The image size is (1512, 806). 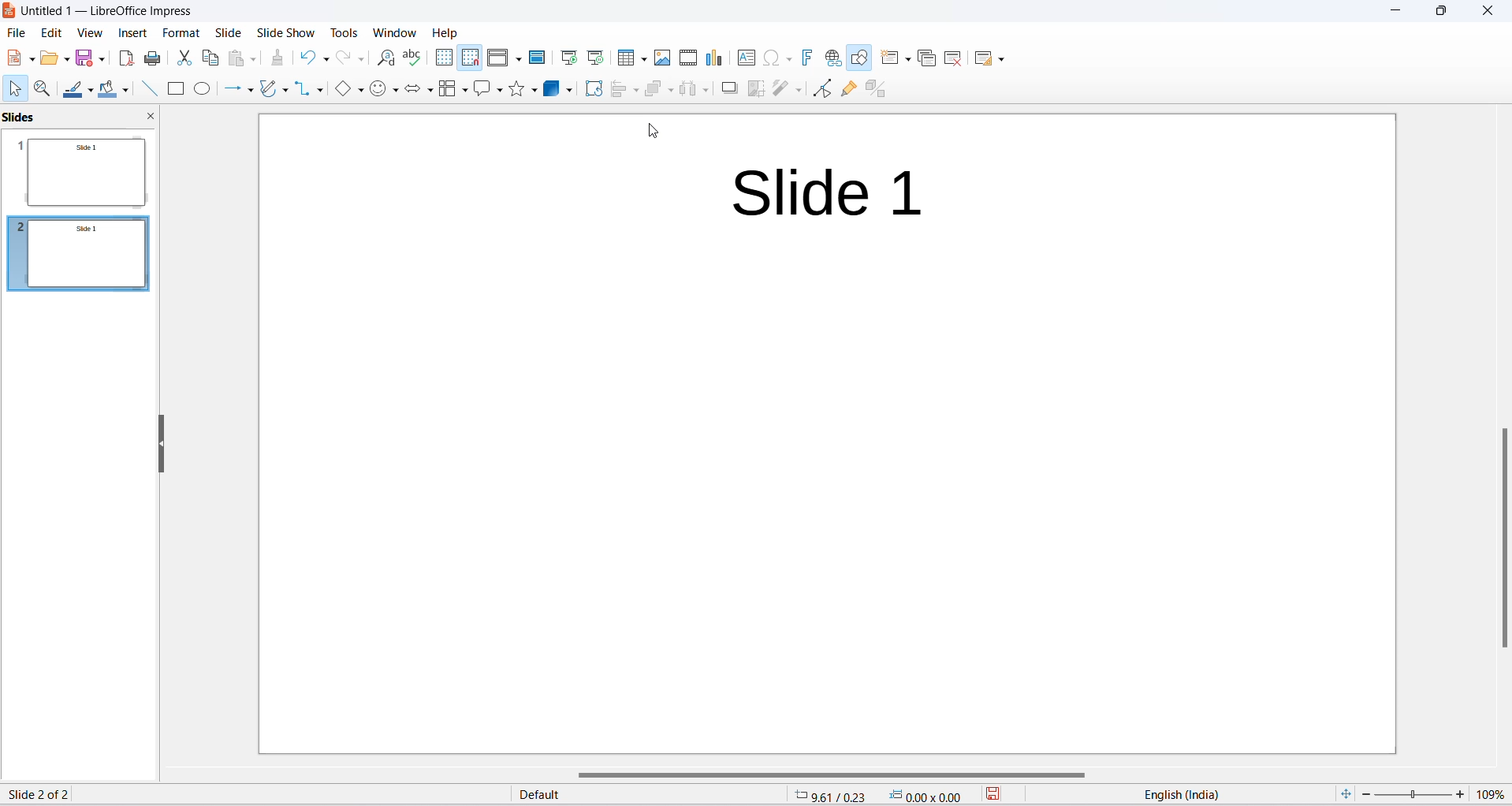 I want to click on show gluepoint functions, so click(x=847, y=88).